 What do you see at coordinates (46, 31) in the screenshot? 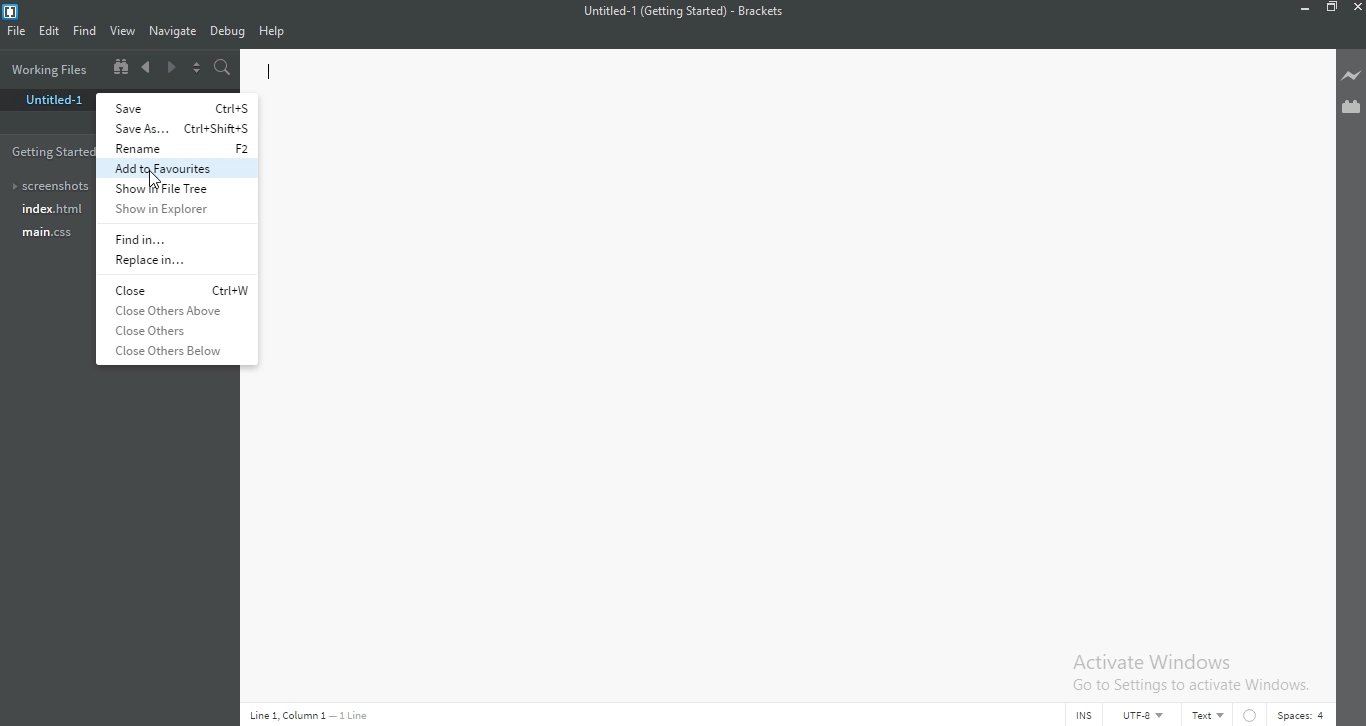
I see `Edit` at bounding box center [46, 31].